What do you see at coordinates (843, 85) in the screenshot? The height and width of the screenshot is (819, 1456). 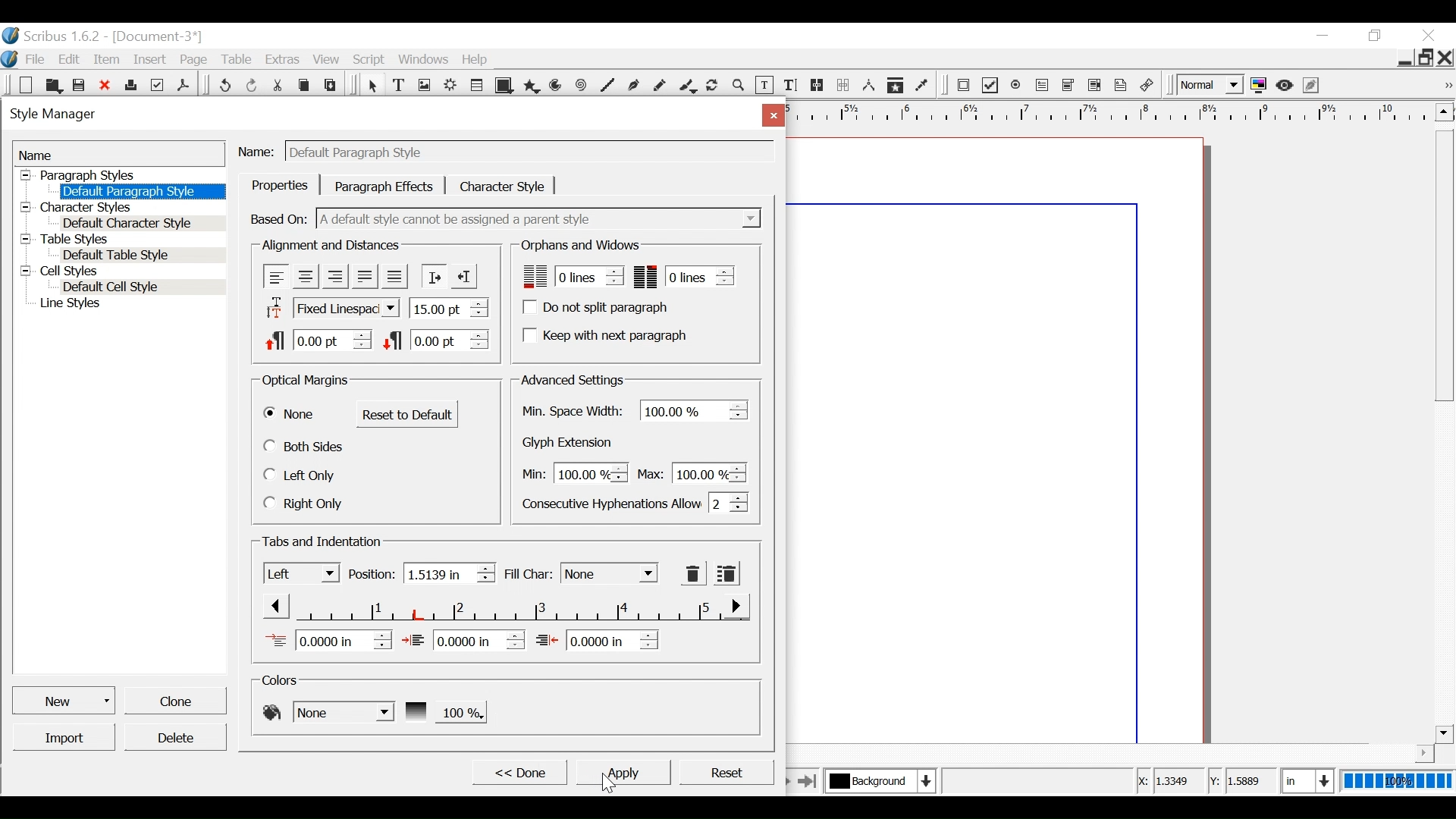 I see `Unlink text frames` at bounding box center [843, 85].